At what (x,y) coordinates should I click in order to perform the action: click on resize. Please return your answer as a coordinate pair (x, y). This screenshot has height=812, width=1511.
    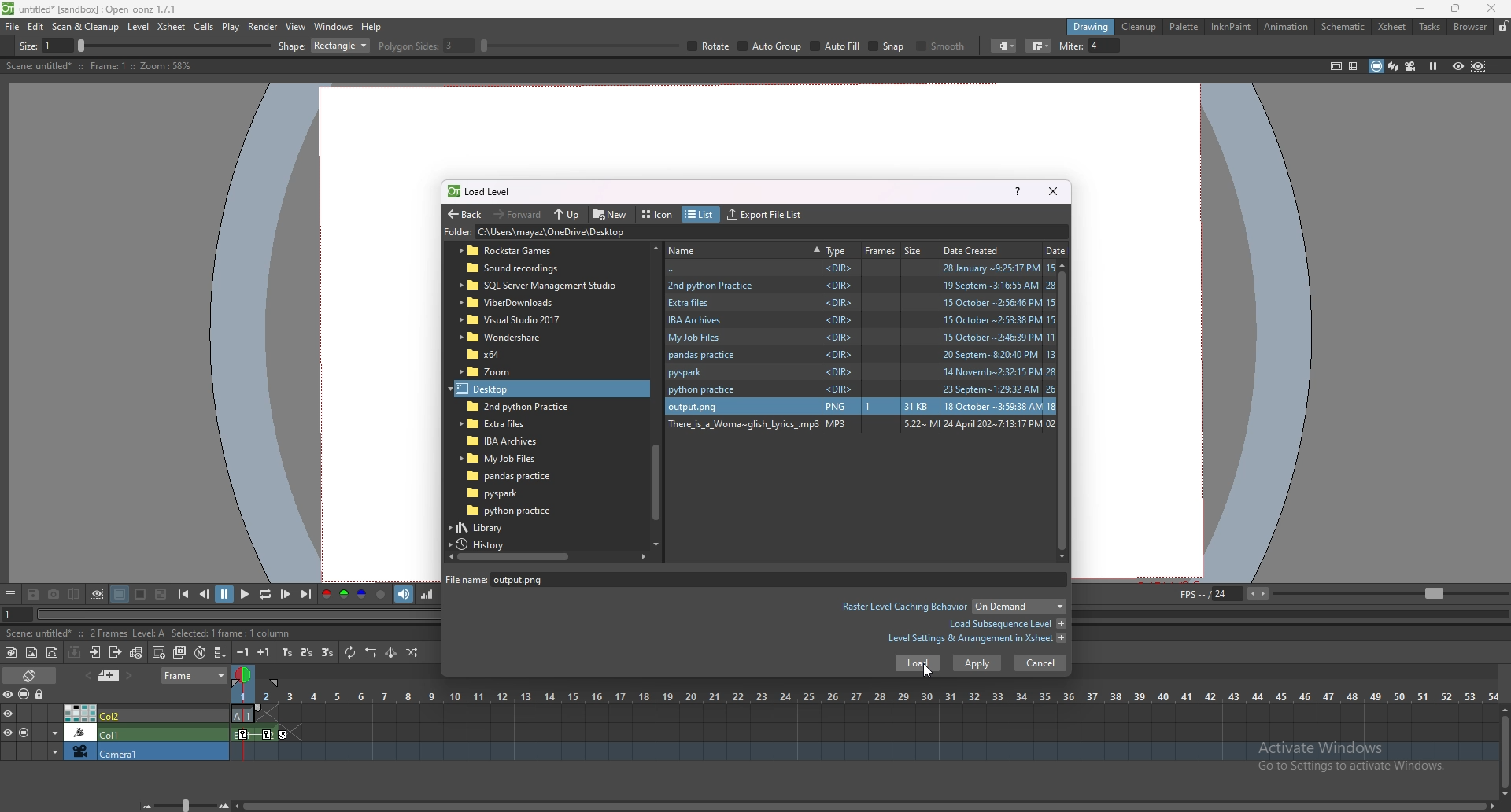
    Looking at the image, I should click on (1455, 9).